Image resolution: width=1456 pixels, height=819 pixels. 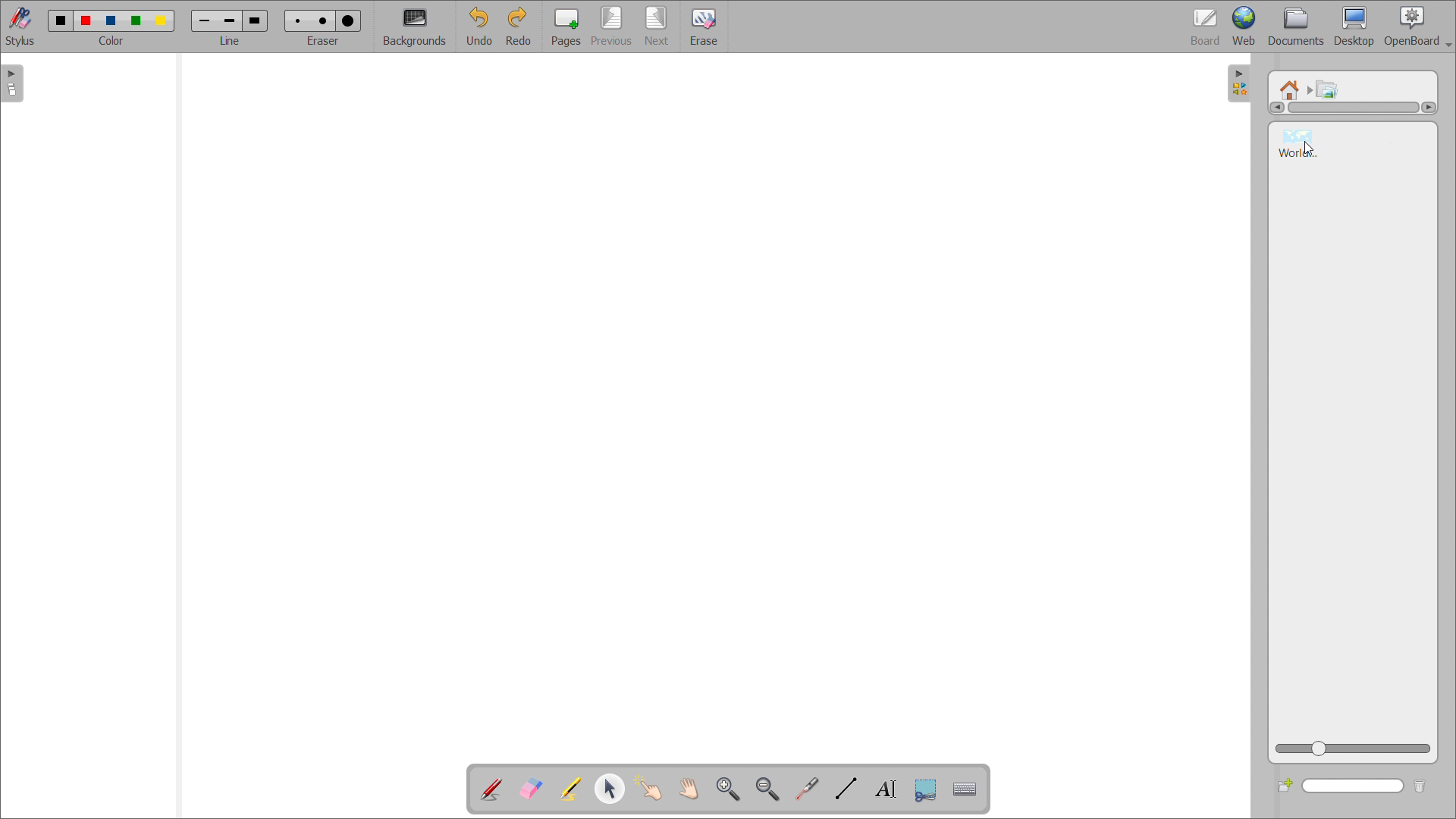 I want to click on erase annotation, so click(x=531, y=789).